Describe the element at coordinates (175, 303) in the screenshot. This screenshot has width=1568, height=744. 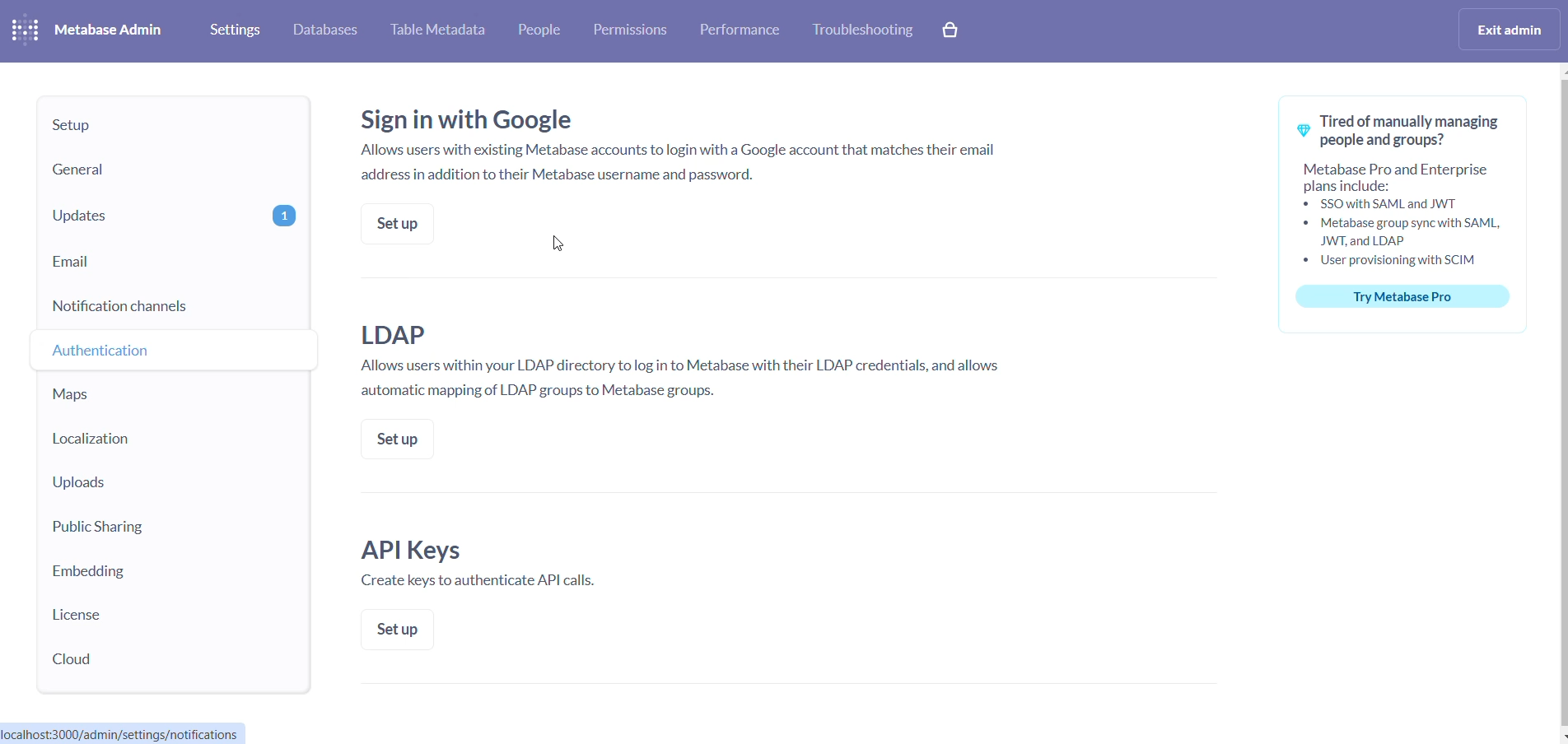
I see `notification channel` at that location.